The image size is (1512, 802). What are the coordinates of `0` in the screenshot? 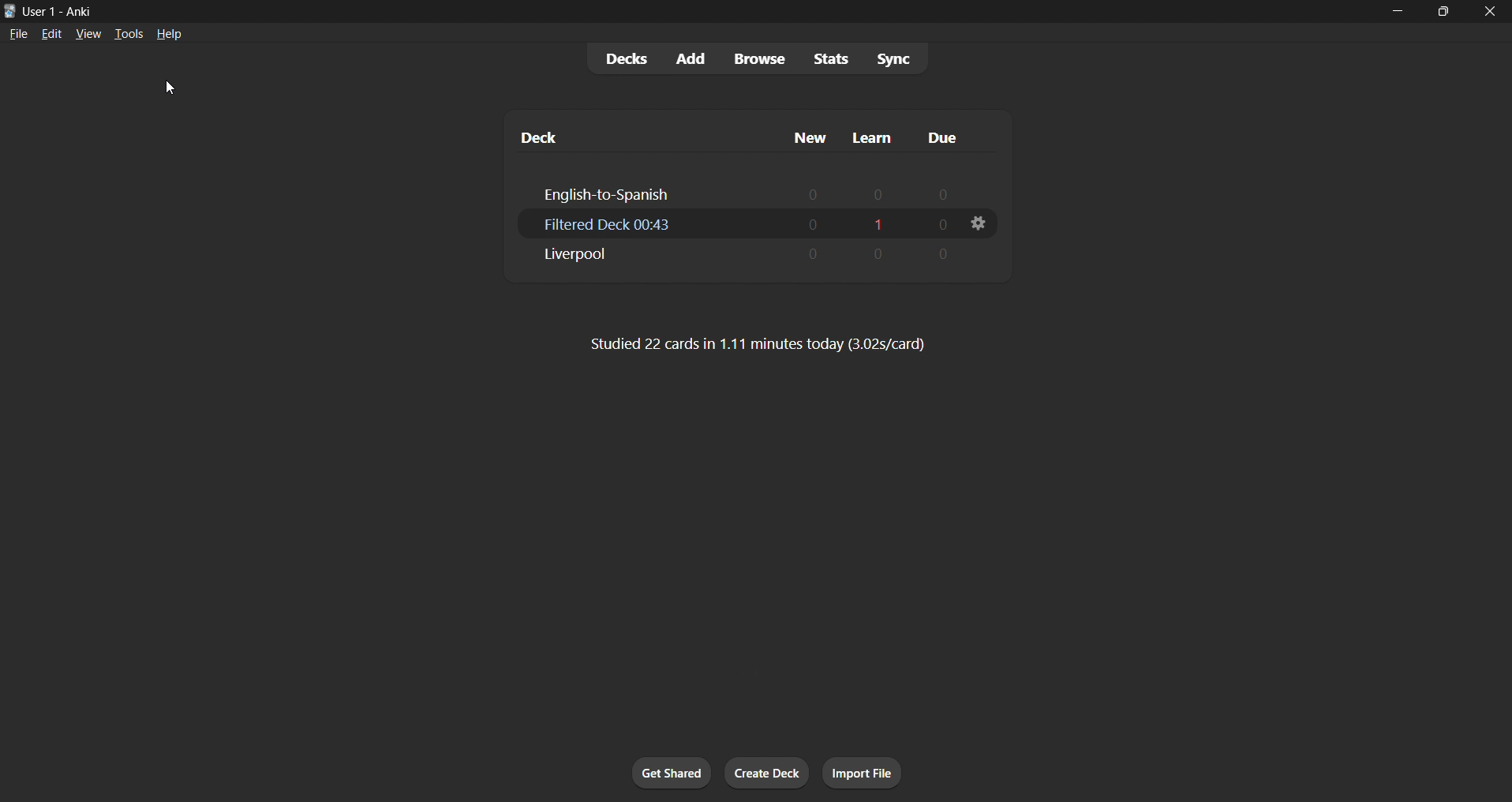 It's located at (945, 189).